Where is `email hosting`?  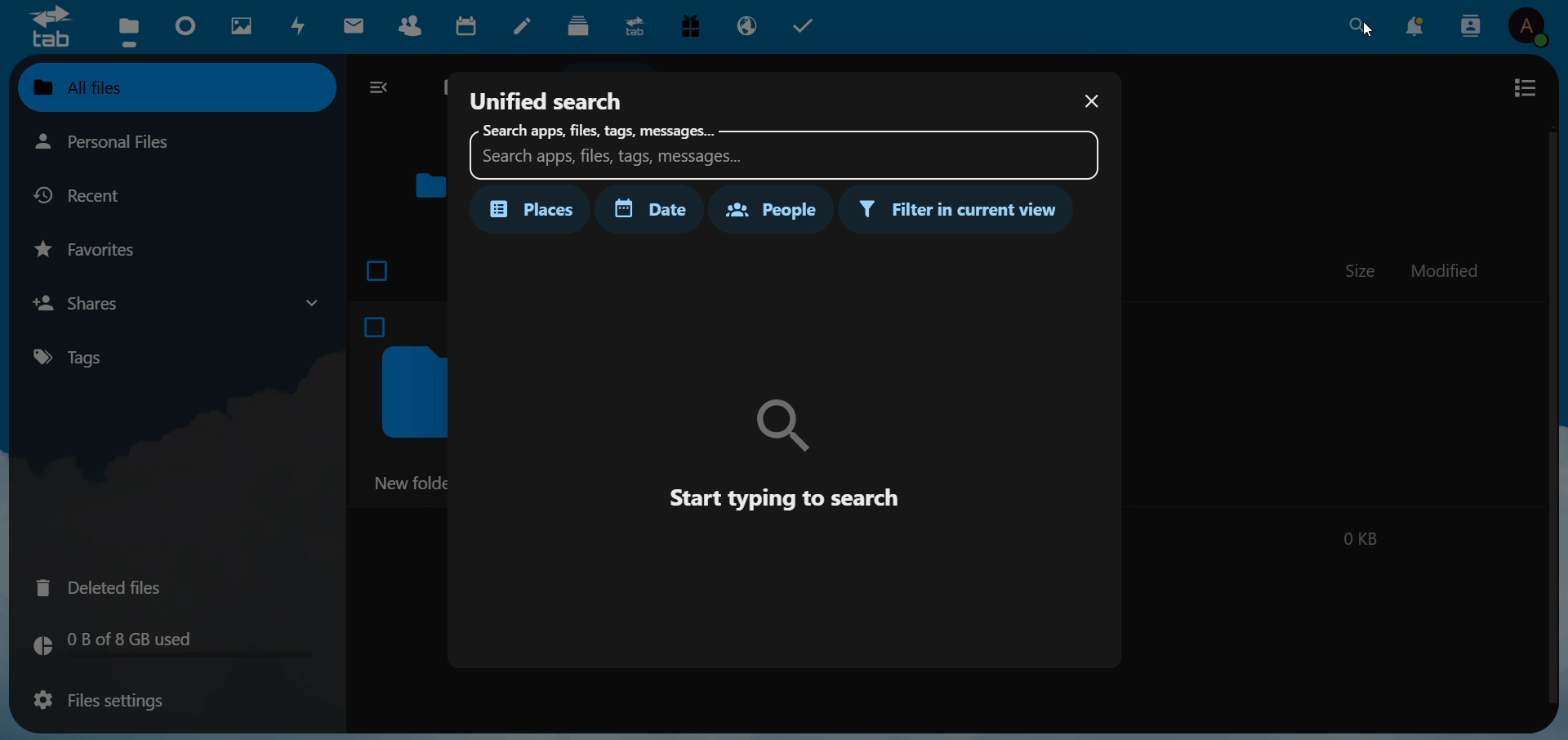 email hosting is located at coordinates (749, 25).